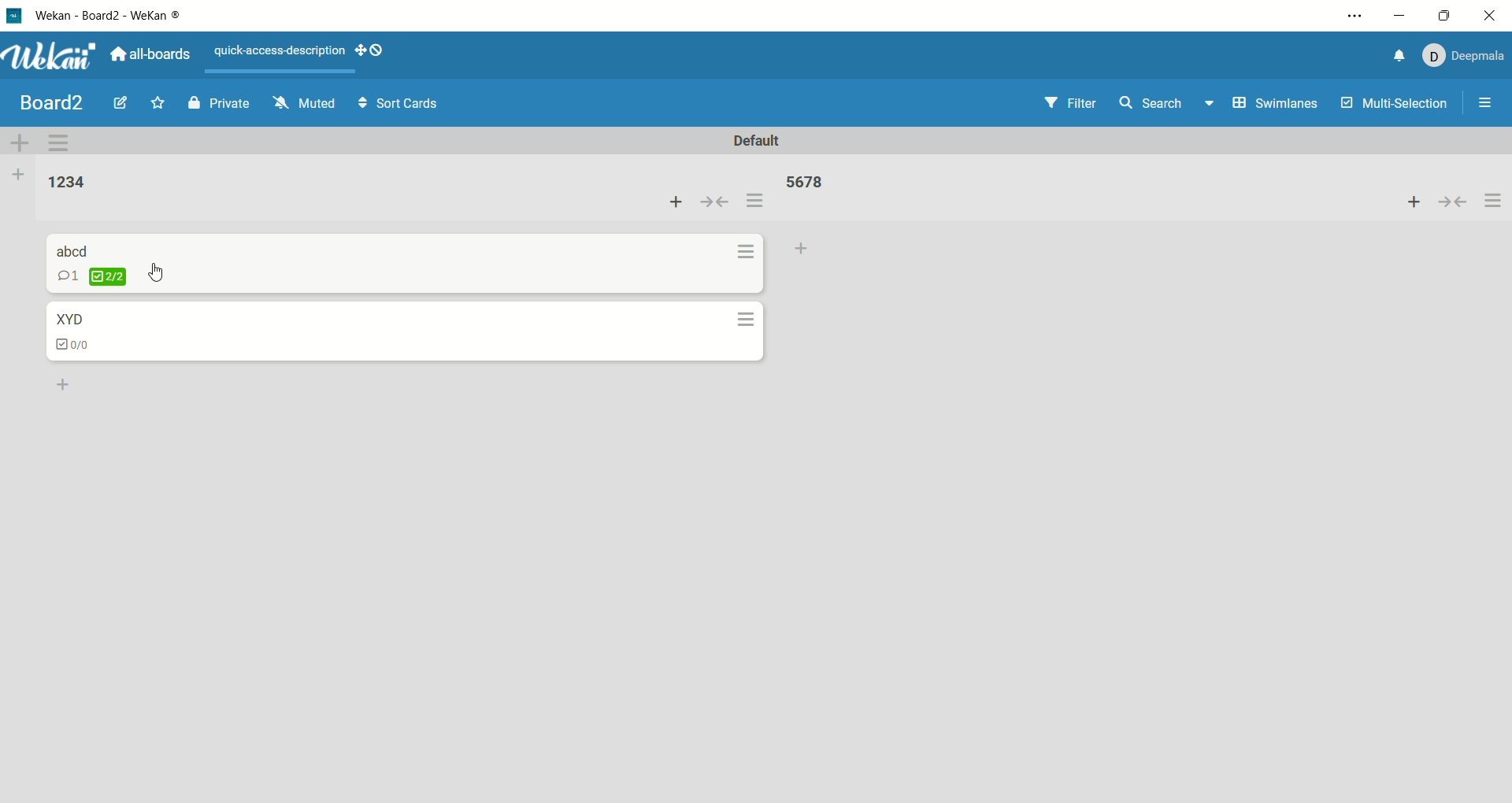 The image size is (1512, 803). Describe the element at coordinates (1274, 105) in the screenshot. I see `swimlanes` at that location.